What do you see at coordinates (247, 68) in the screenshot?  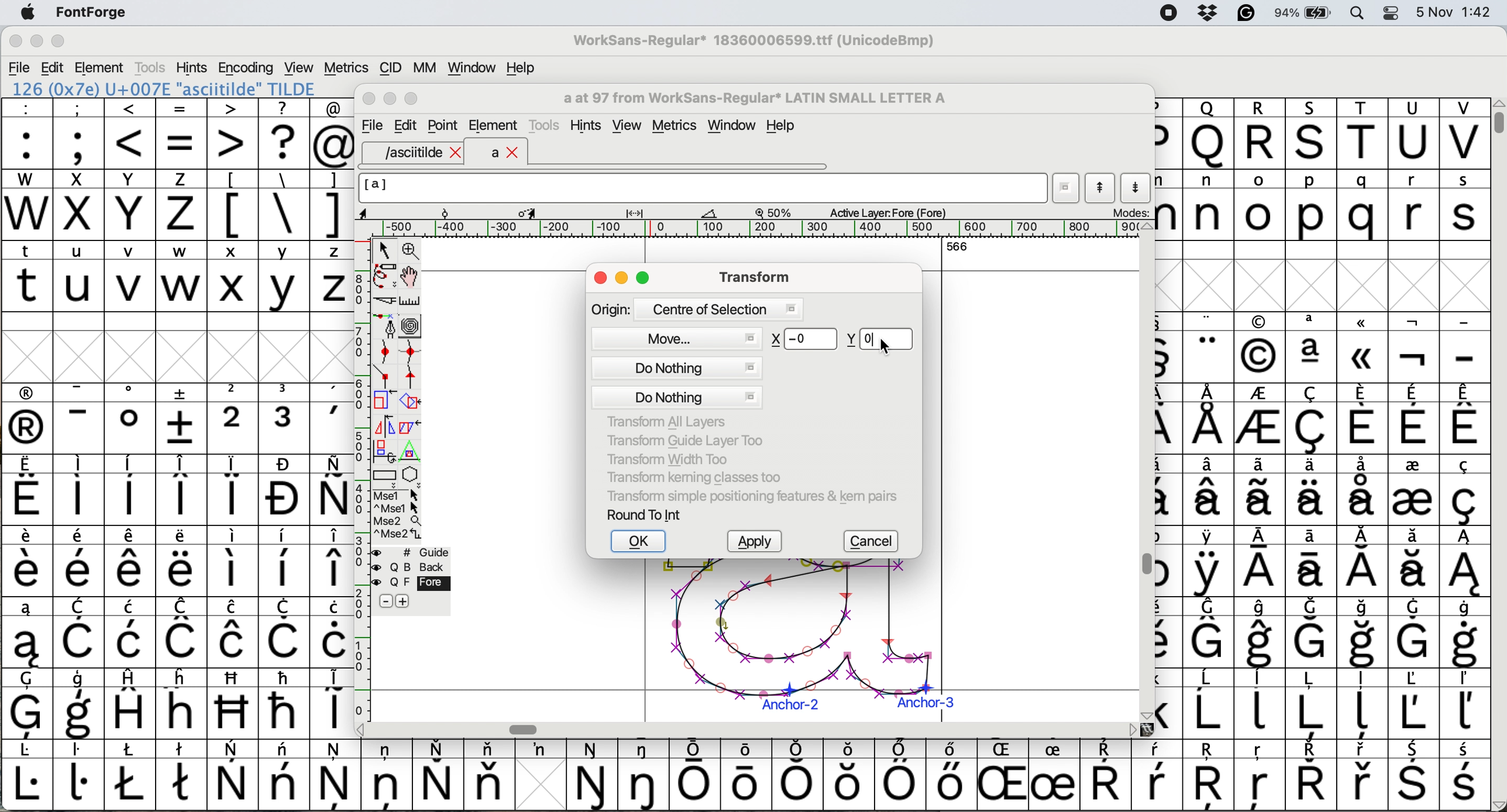 I see `encoding` at bounding box center [247, 68].